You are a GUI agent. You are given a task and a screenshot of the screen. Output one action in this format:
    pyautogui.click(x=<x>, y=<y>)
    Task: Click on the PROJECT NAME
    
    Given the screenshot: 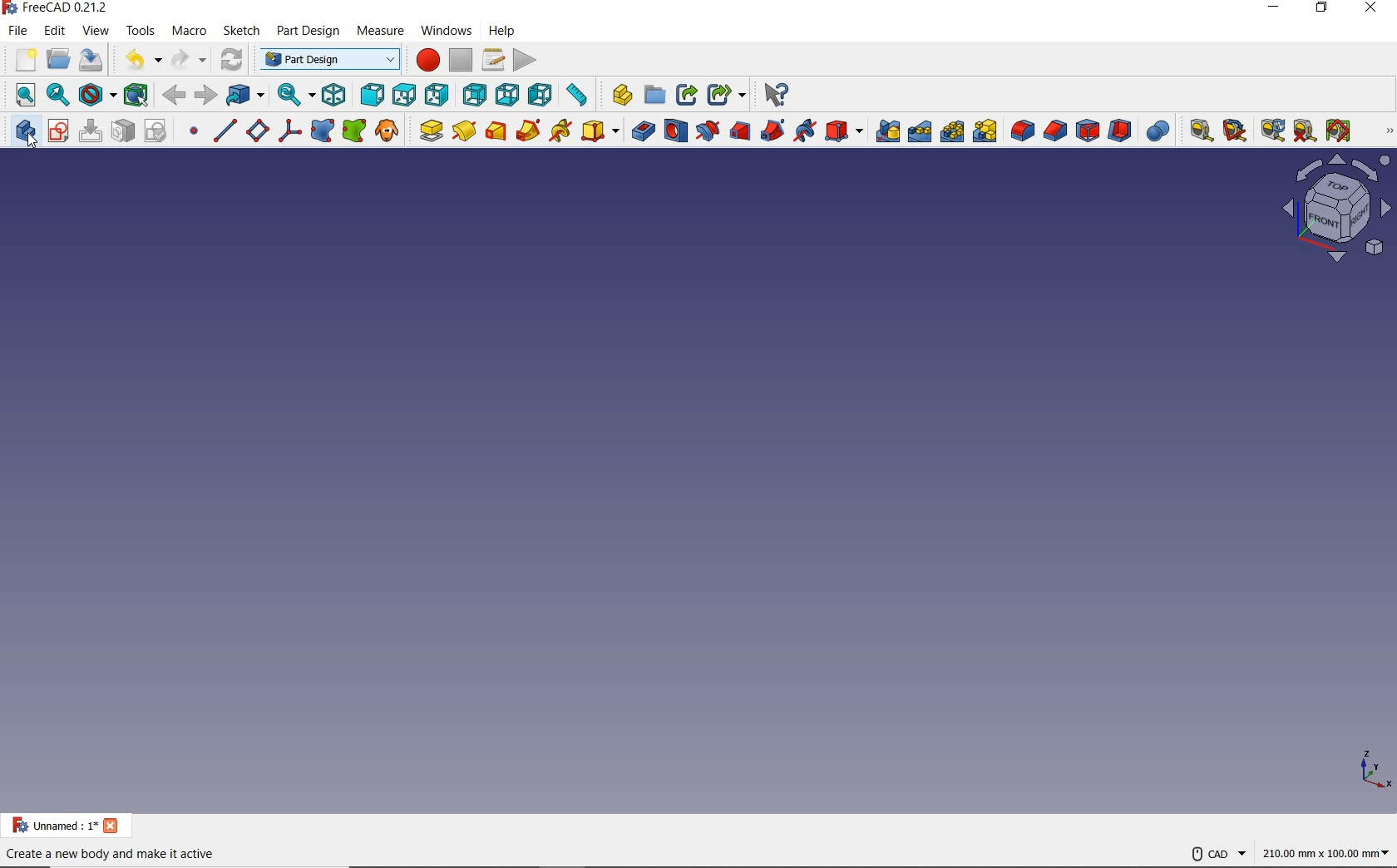 What is the action you would take?
    pyautogui.click(x=66, y=826)
    